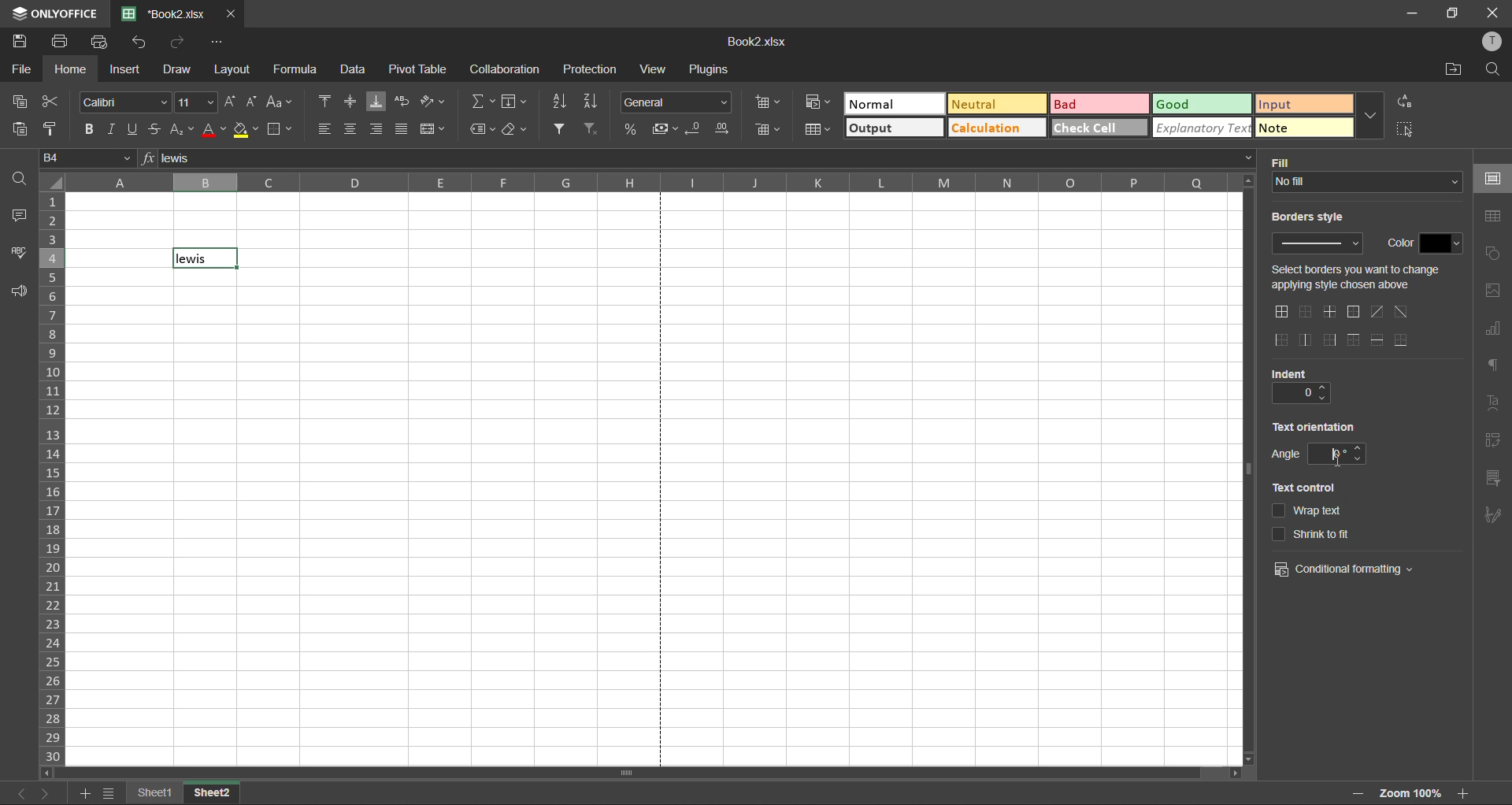 The width and height of the screenshot is (1512, 805). I want to click on cell address, so click(85, 158).